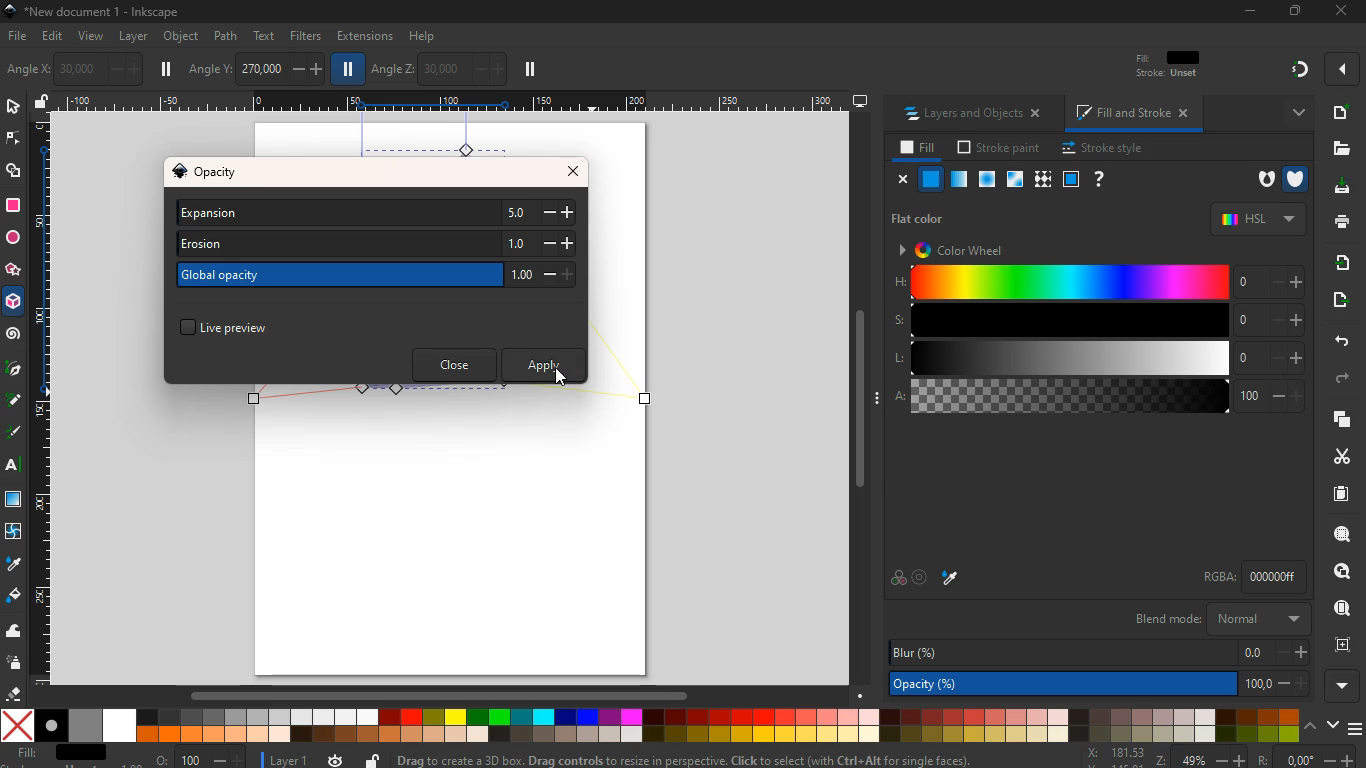 The image size is (1366, 768). Describe the element at coordinates (452, 364) in the screenshot. I see `close` at that location.